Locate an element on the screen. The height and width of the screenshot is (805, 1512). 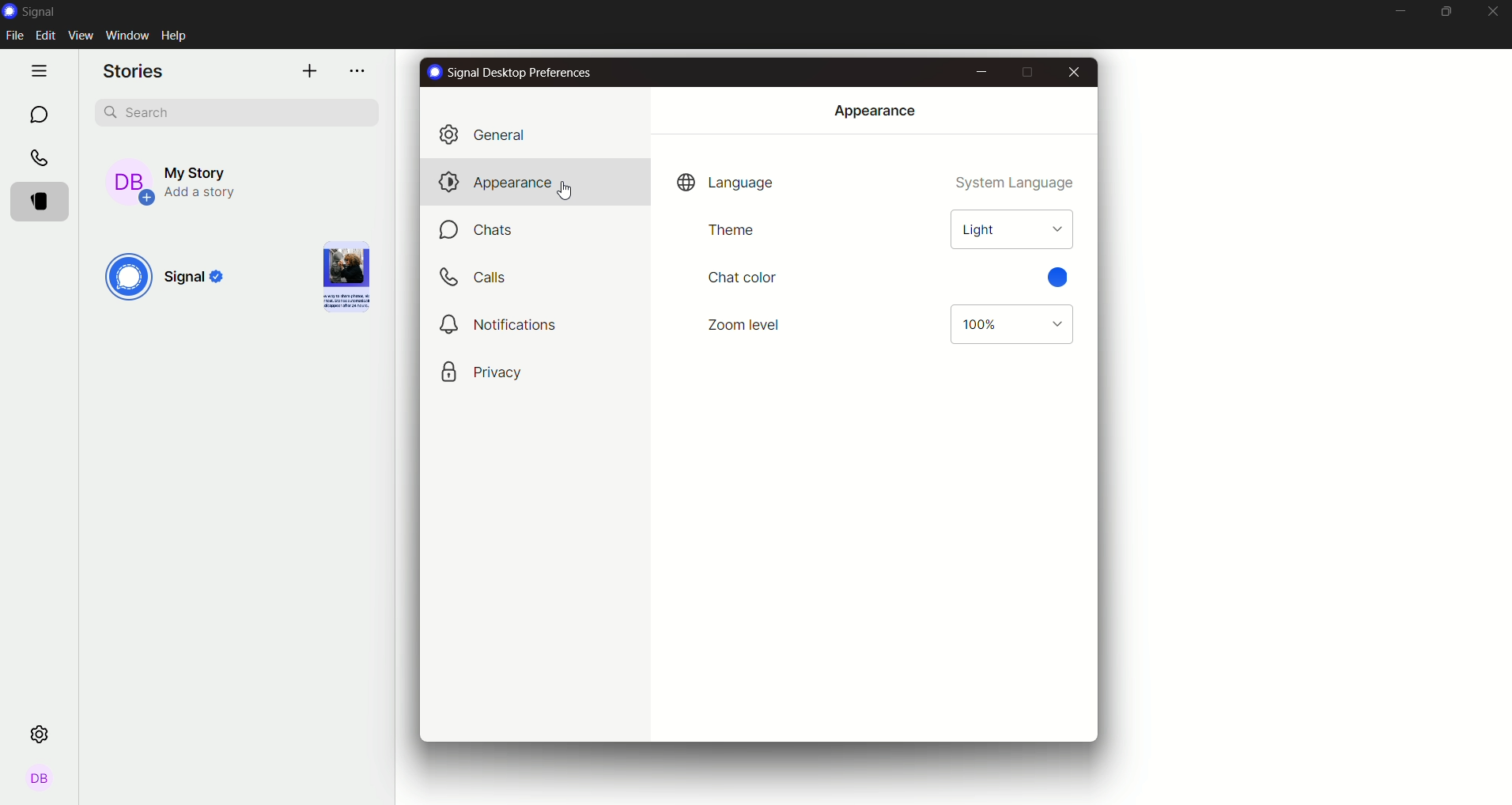
close is located at coordinates (1492, 13).